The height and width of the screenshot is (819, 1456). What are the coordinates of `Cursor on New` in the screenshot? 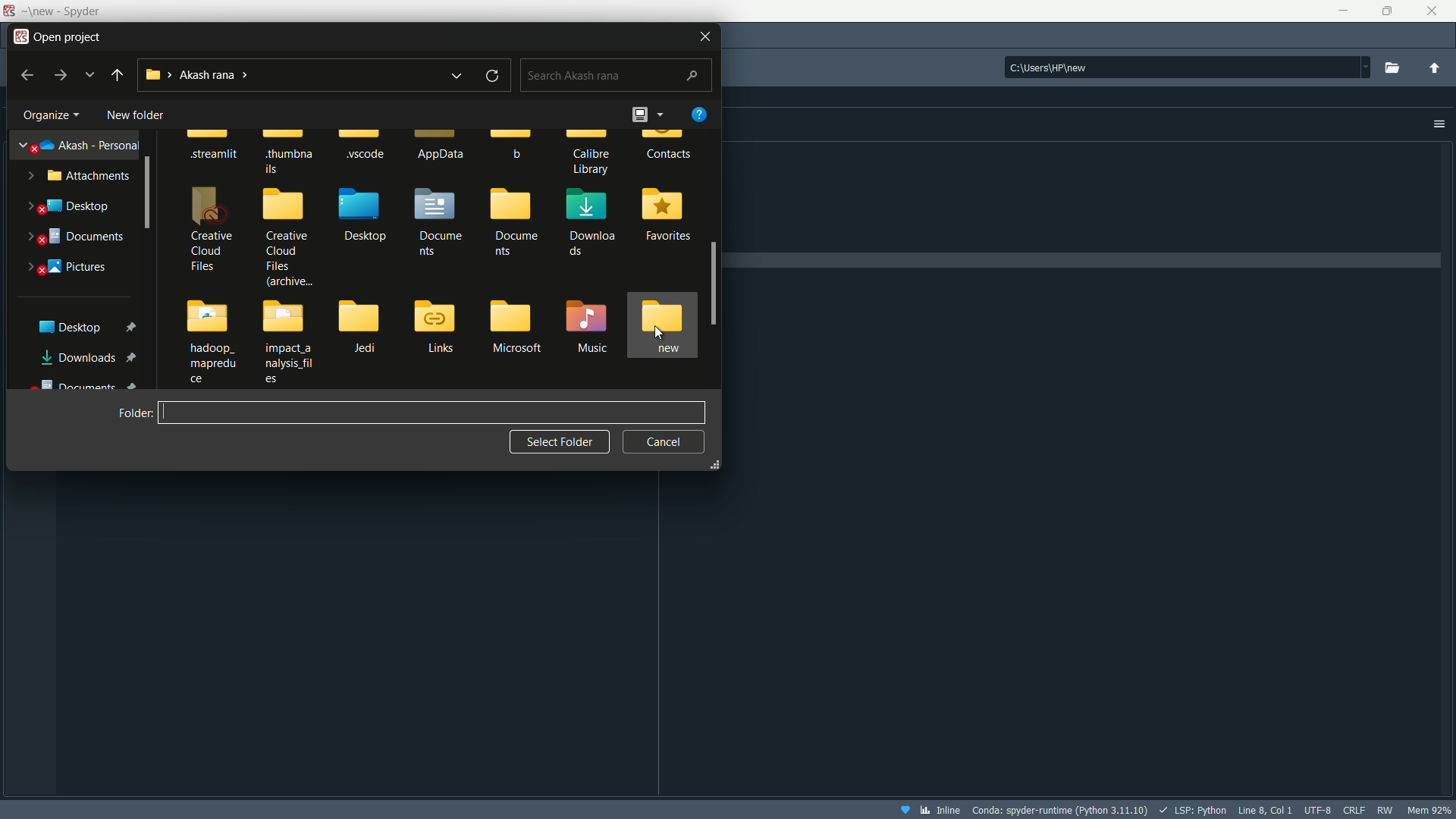 It's located at (654, 329).